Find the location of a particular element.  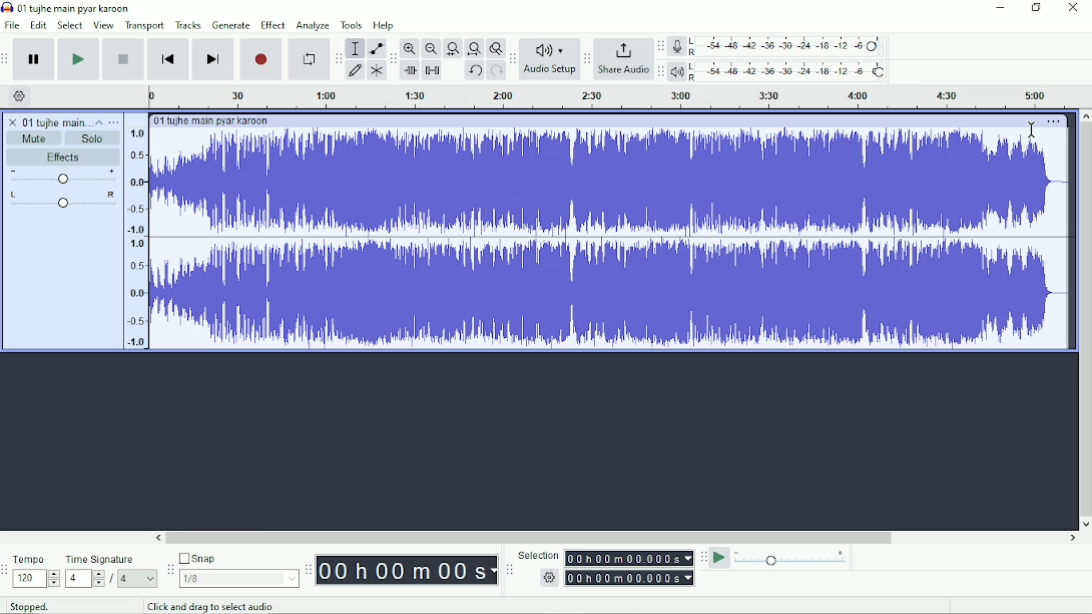

Audacity snapping toolbar is located at coordinates (170, 569).